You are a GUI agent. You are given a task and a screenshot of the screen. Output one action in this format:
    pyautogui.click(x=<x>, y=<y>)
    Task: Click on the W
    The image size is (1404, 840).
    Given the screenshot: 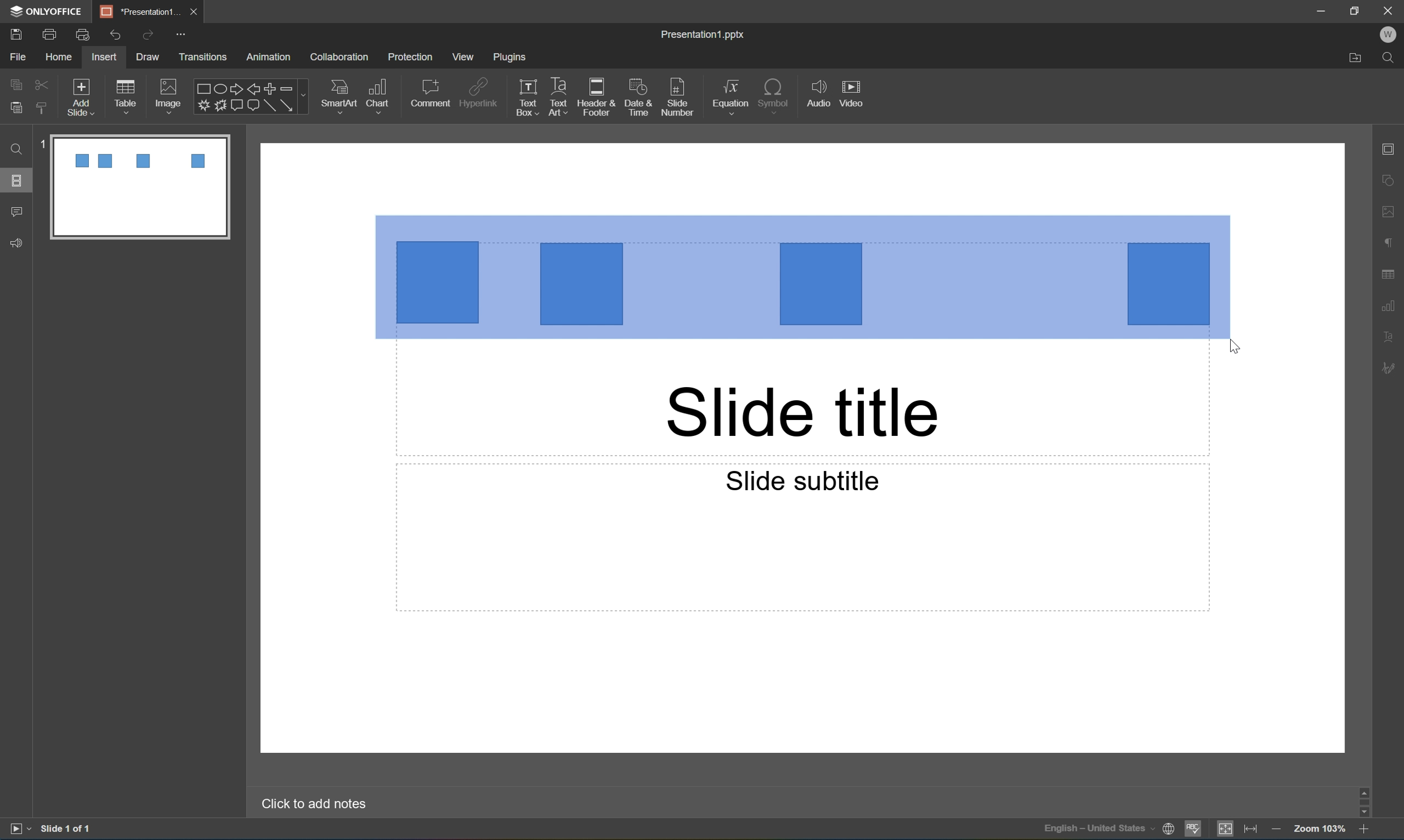 What is the action you would take?
    pyautogui.click(x=1392, y=35)
    